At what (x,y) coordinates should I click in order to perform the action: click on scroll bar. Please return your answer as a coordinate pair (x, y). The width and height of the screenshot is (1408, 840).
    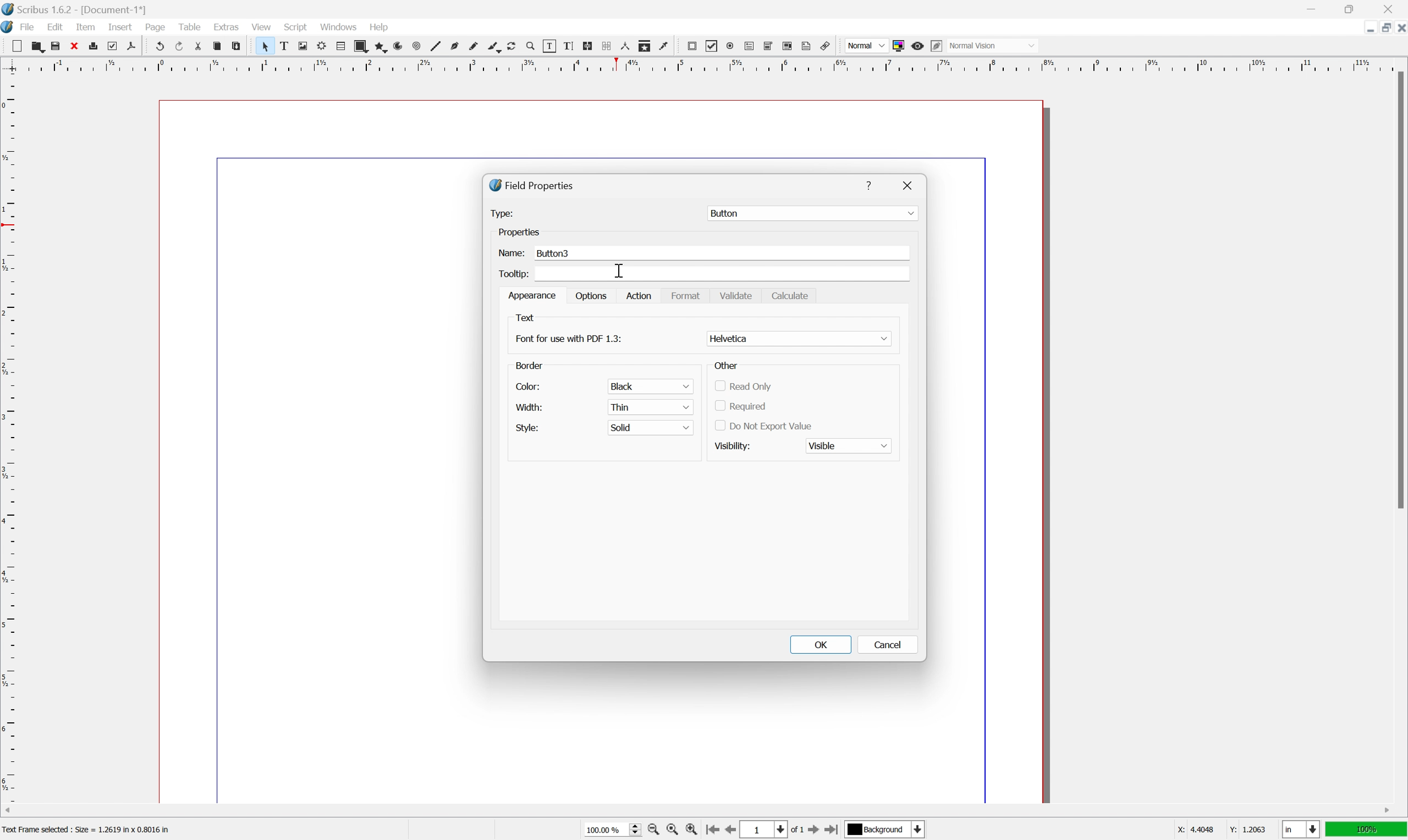
    Looking at the image, I should click on (1397, 289).